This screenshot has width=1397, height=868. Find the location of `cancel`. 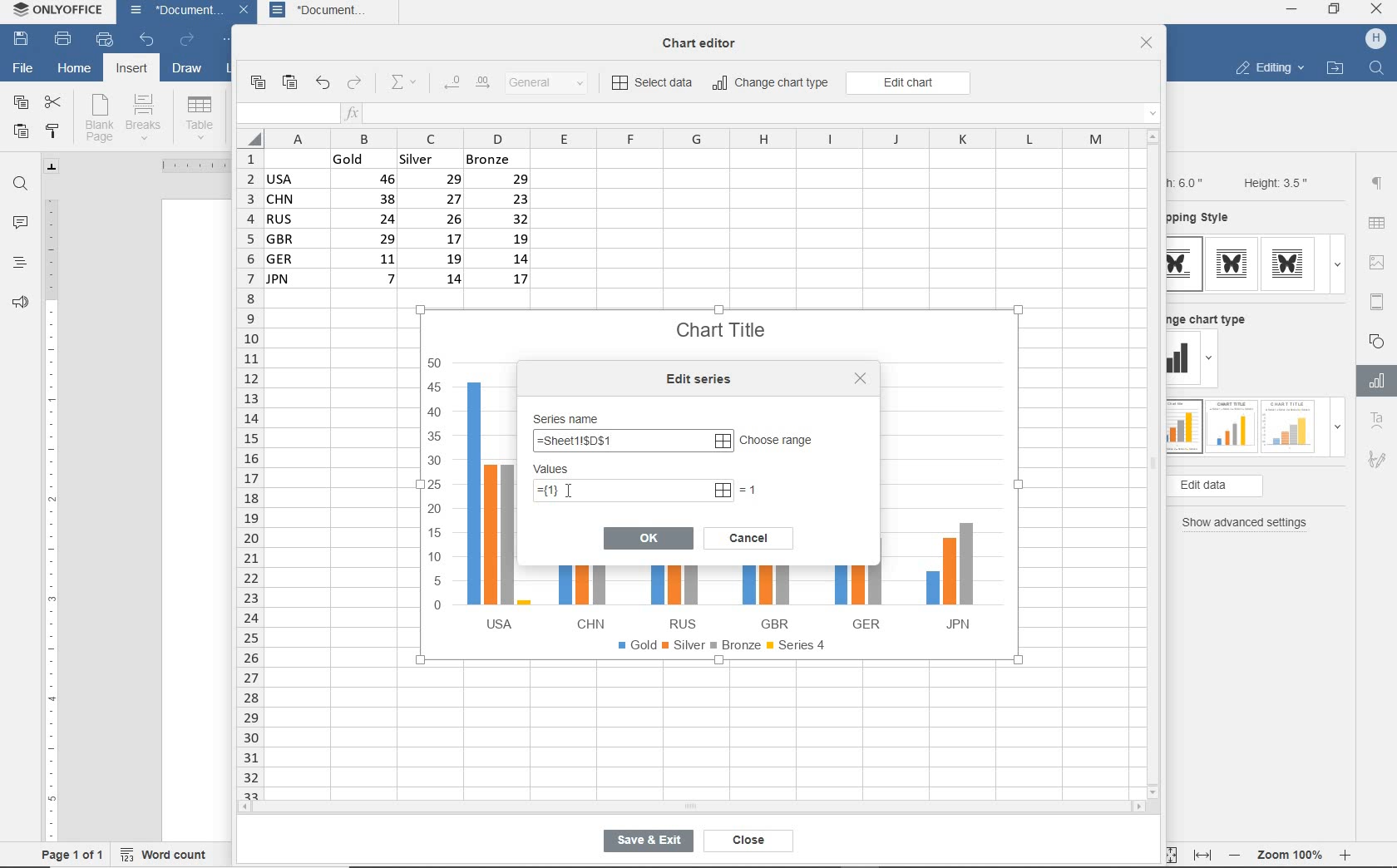

cancel is located at coordinates (748, 535).